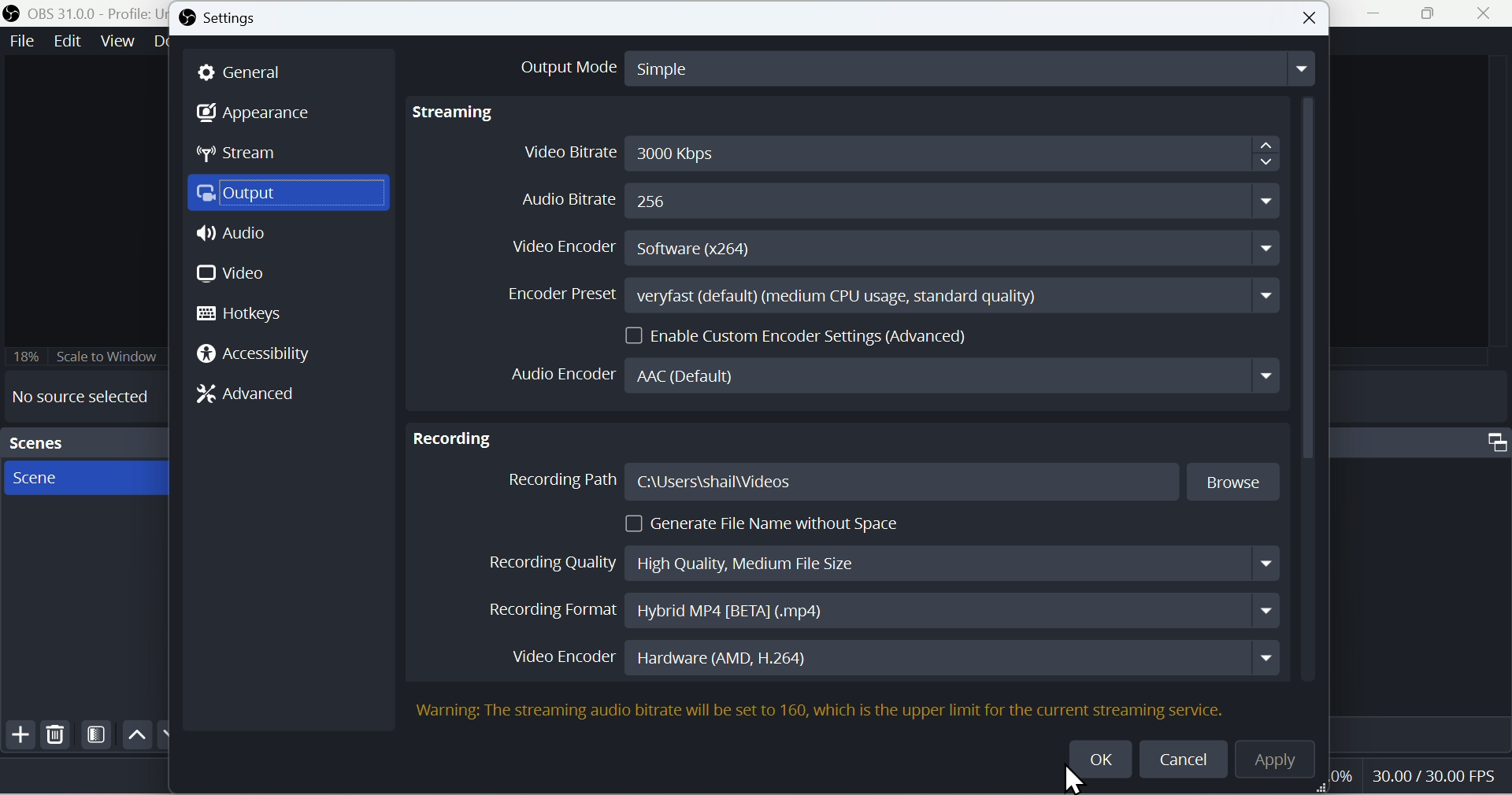  What do you see at coordinates (877, 611) in the screenshot?
I see `Recording Format` at bounding box center [877, 611].